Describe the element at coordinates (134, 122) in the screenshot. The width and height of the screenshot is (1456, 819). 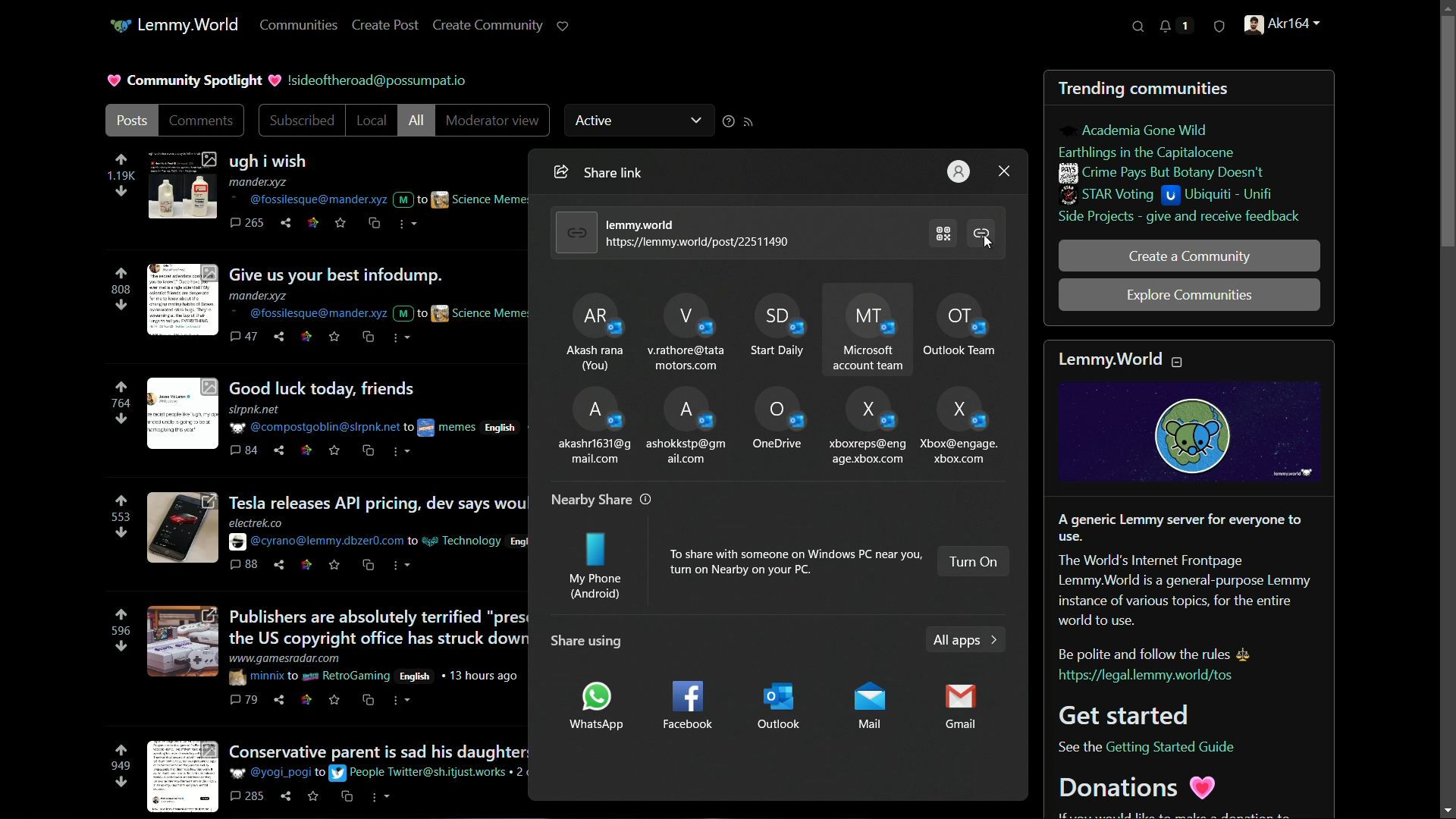
I see `posts` at that location.